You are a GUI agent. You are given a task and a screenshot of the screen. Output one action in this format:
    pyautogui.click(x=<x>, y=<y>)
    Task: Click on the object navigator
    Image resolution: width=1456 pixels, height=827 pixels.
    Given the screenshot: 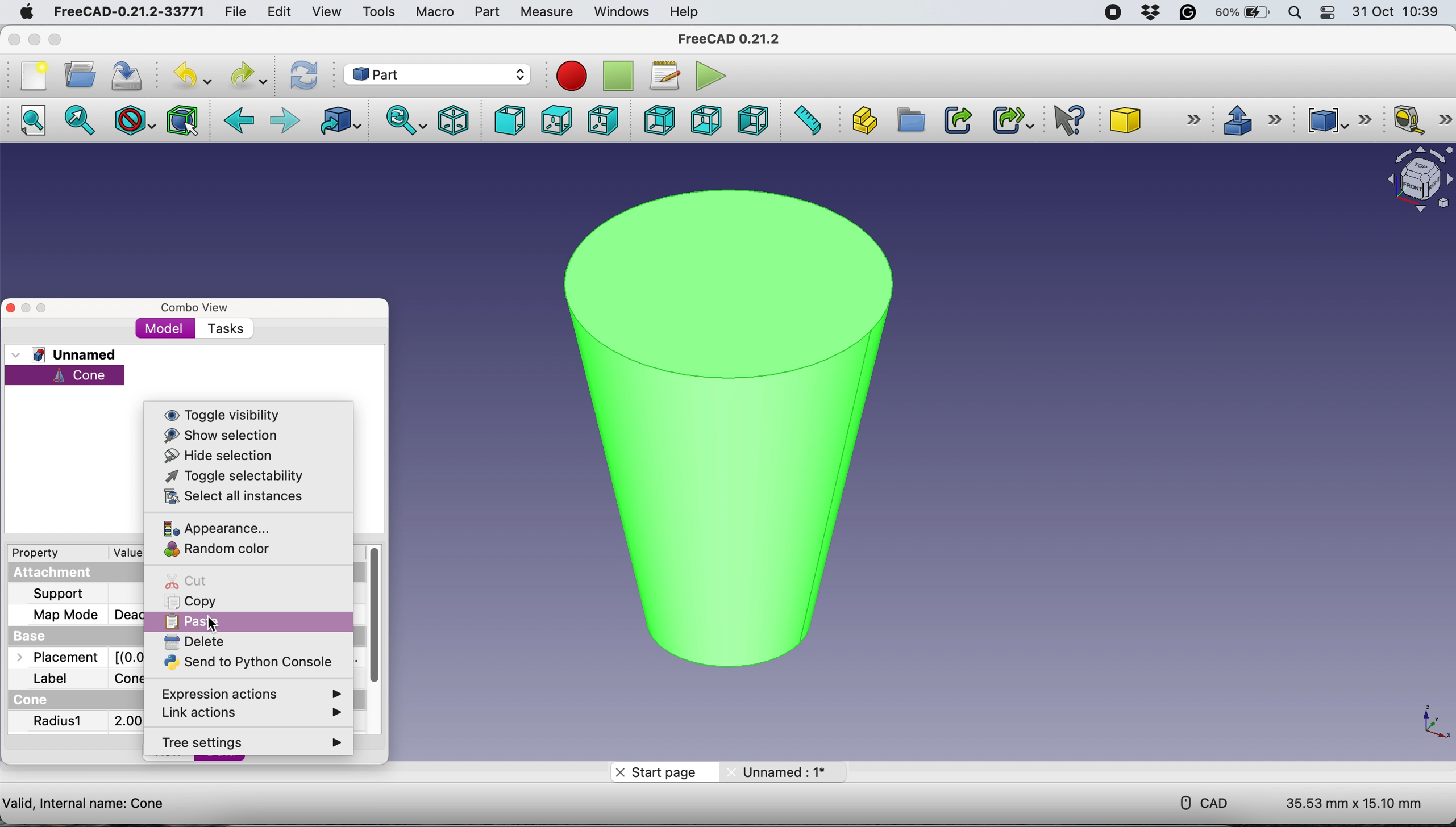 What is the action you would take?
    pyautogui.click(x=1413, y=179)
    